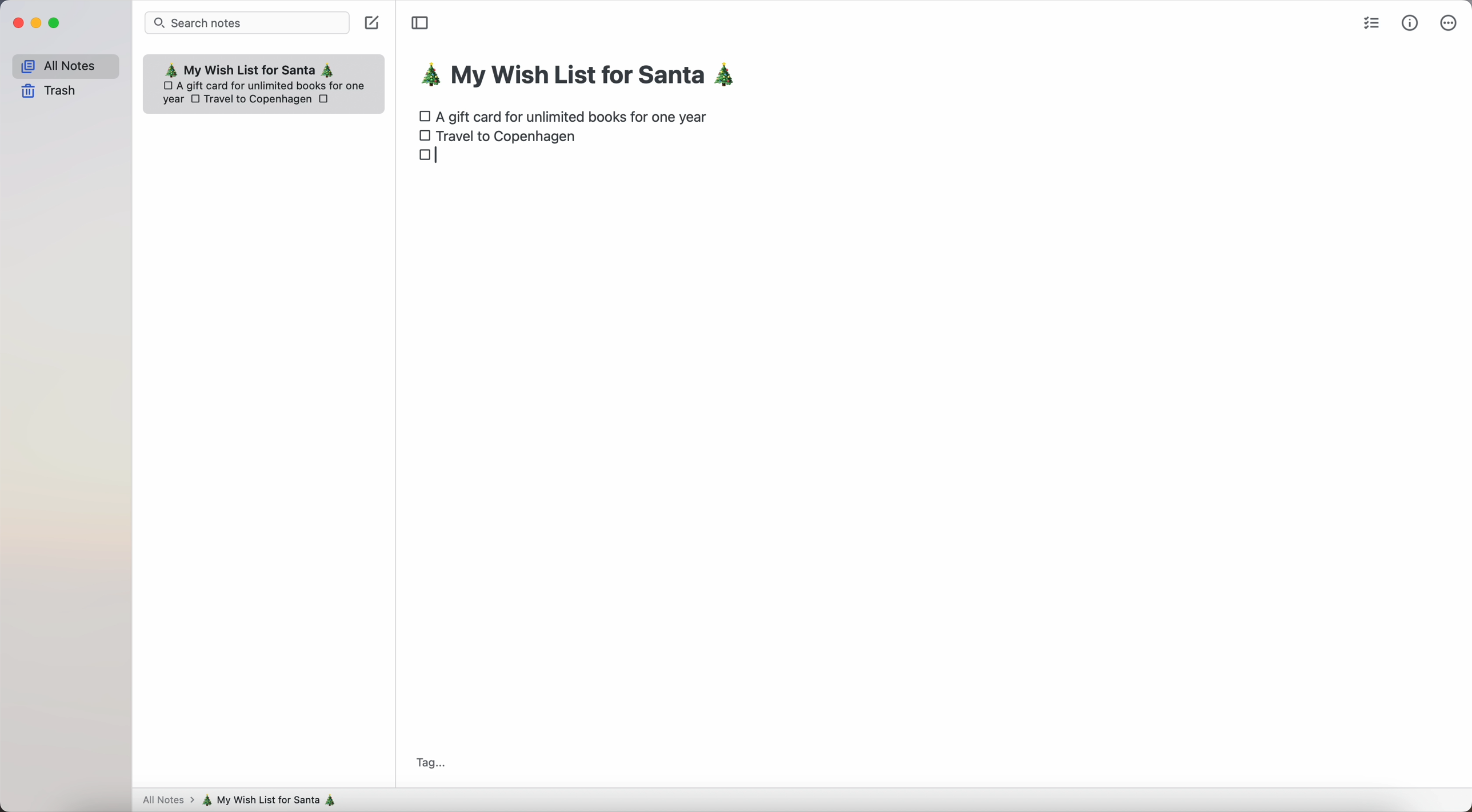 This screenshot has height=812, width=1472. Describe the element at coordinates (510, 136) in the screenshot. I see `Travel to Copenhagen` at that location.